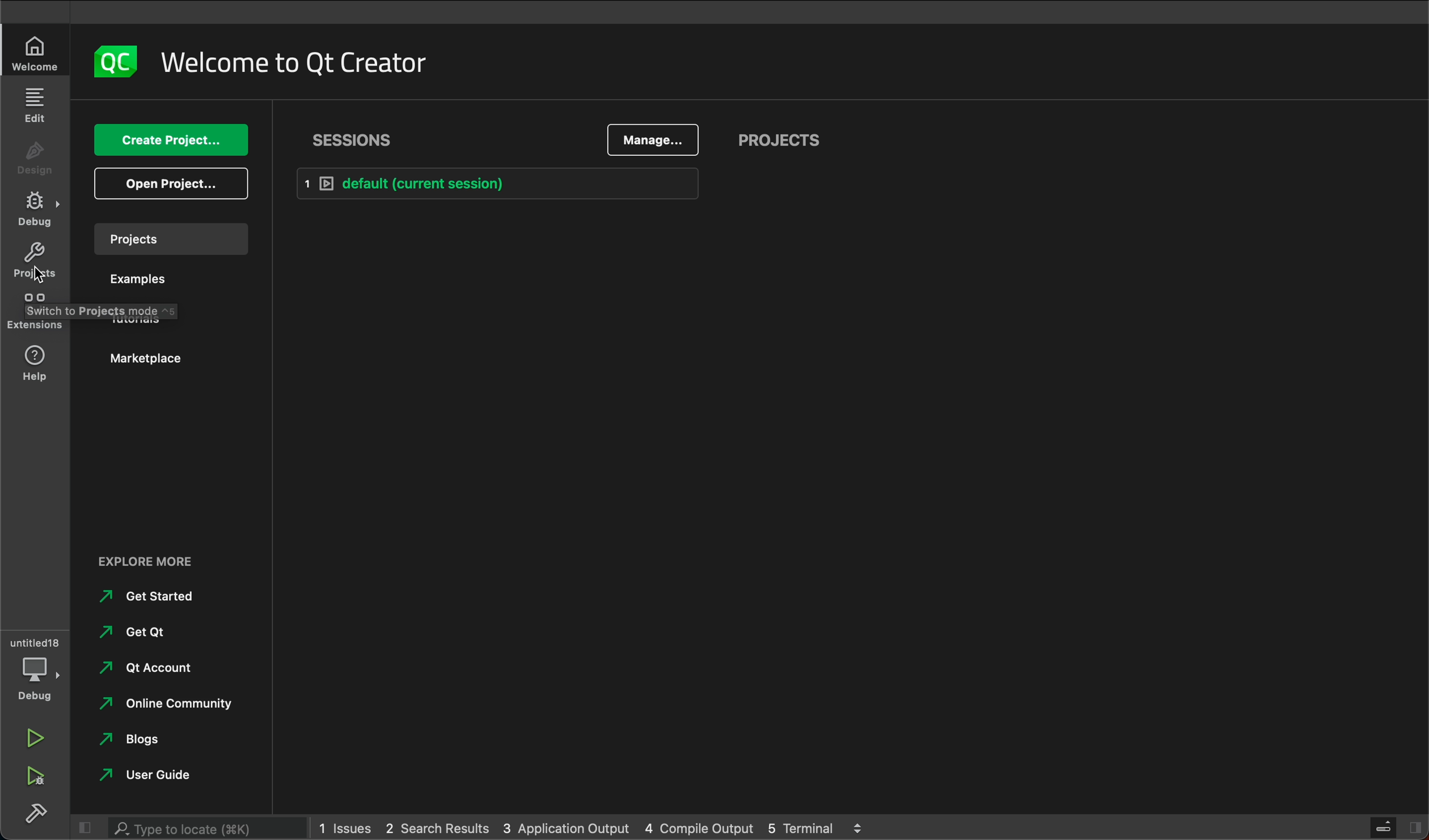  Describe the element at coordinates (168, 135) in the screenshot. I see `create projects` at that location.